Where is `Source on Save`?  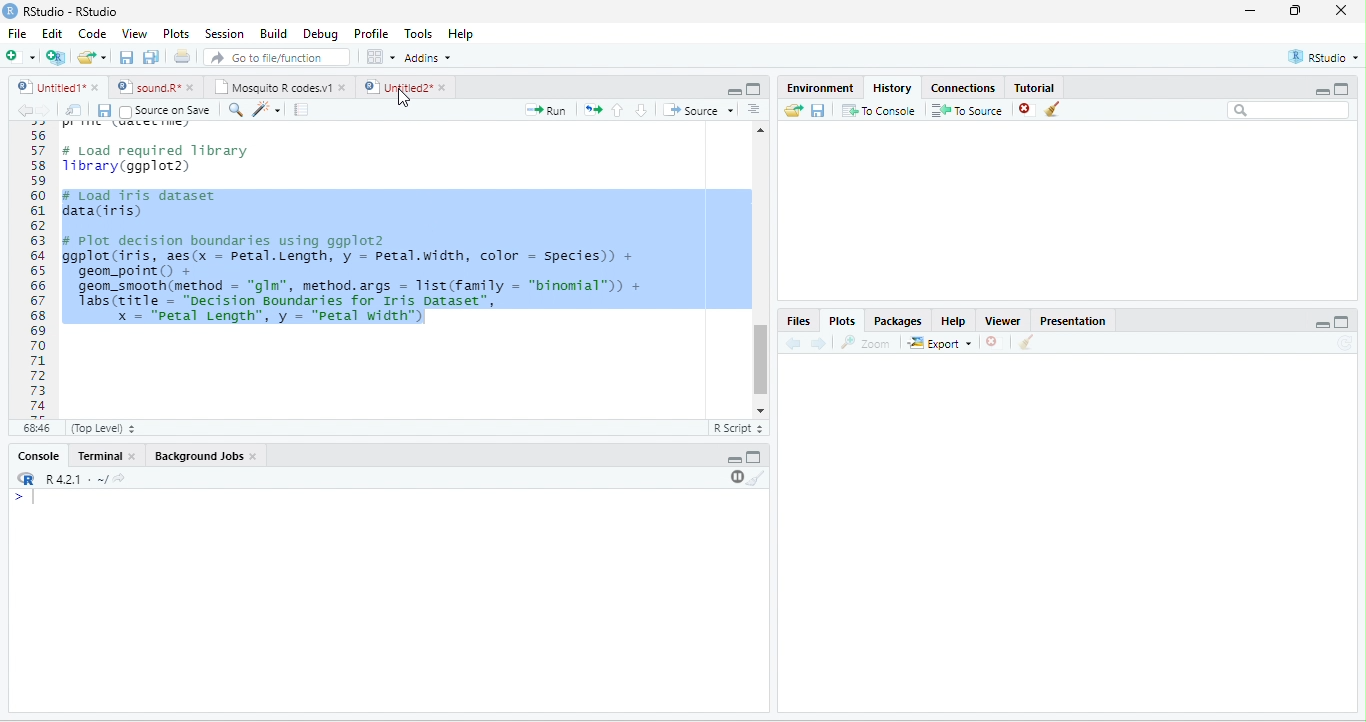
Source on Save is located at coordinates (164, 111).